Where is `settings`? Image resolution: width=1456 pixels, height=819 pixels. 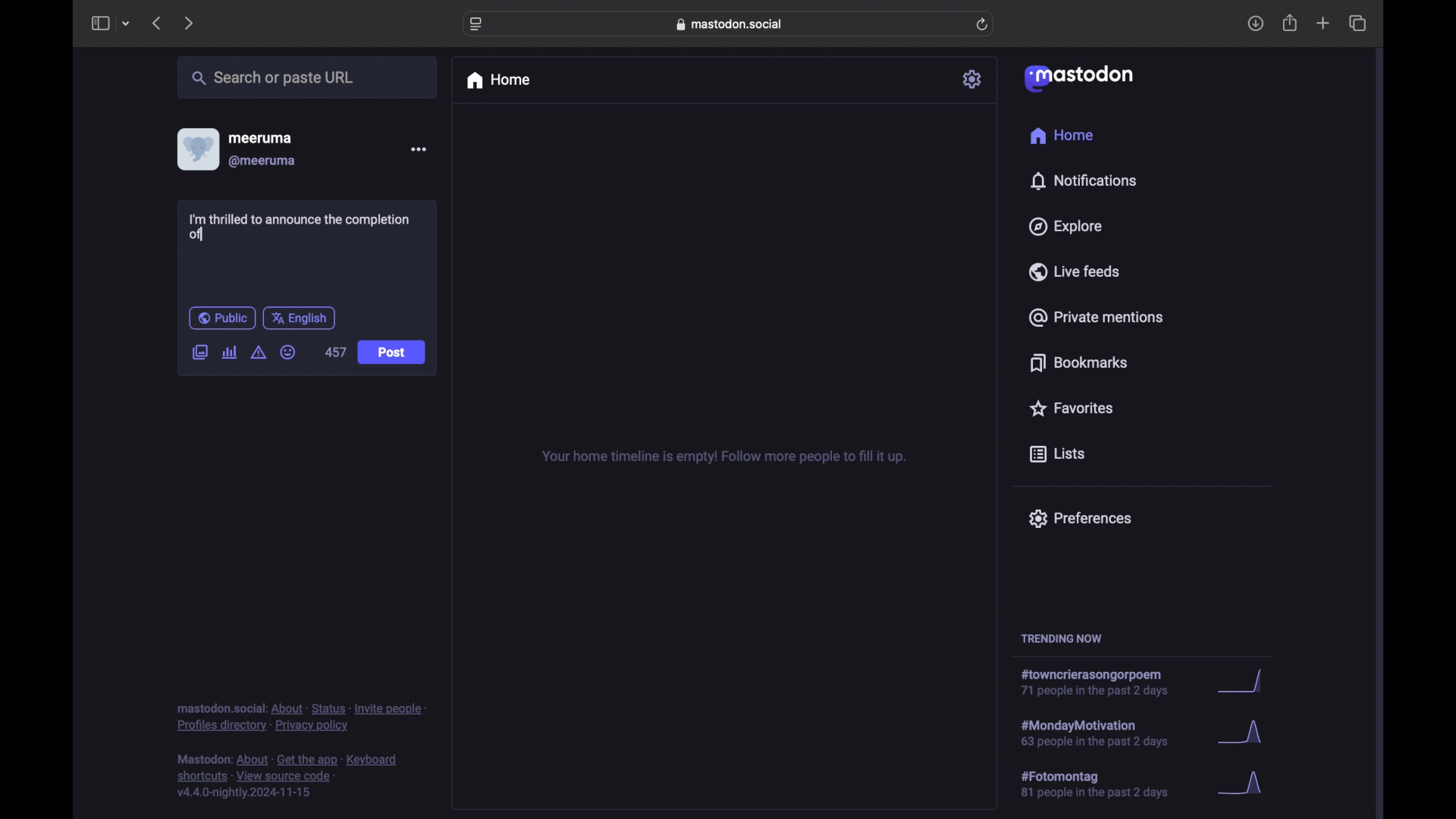
settings is located at coordinates (973, 79).